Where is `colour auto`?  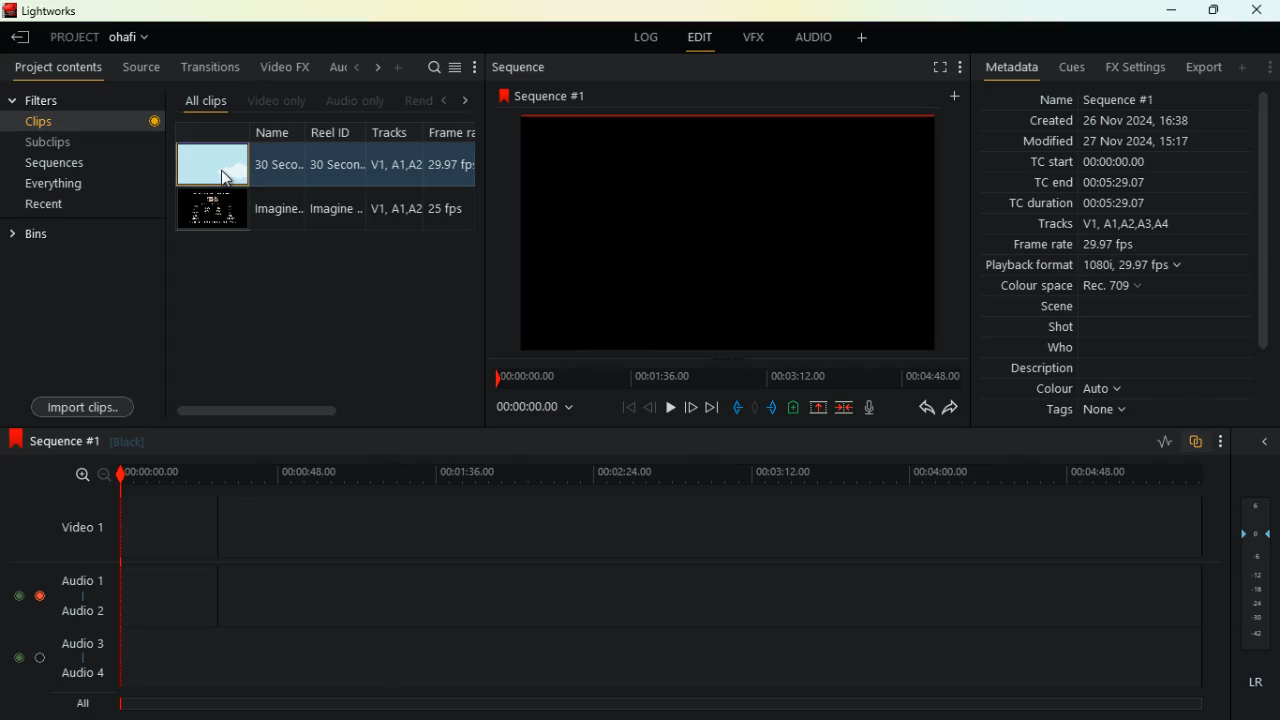
colour auto is located at coordinates (1082, 389).